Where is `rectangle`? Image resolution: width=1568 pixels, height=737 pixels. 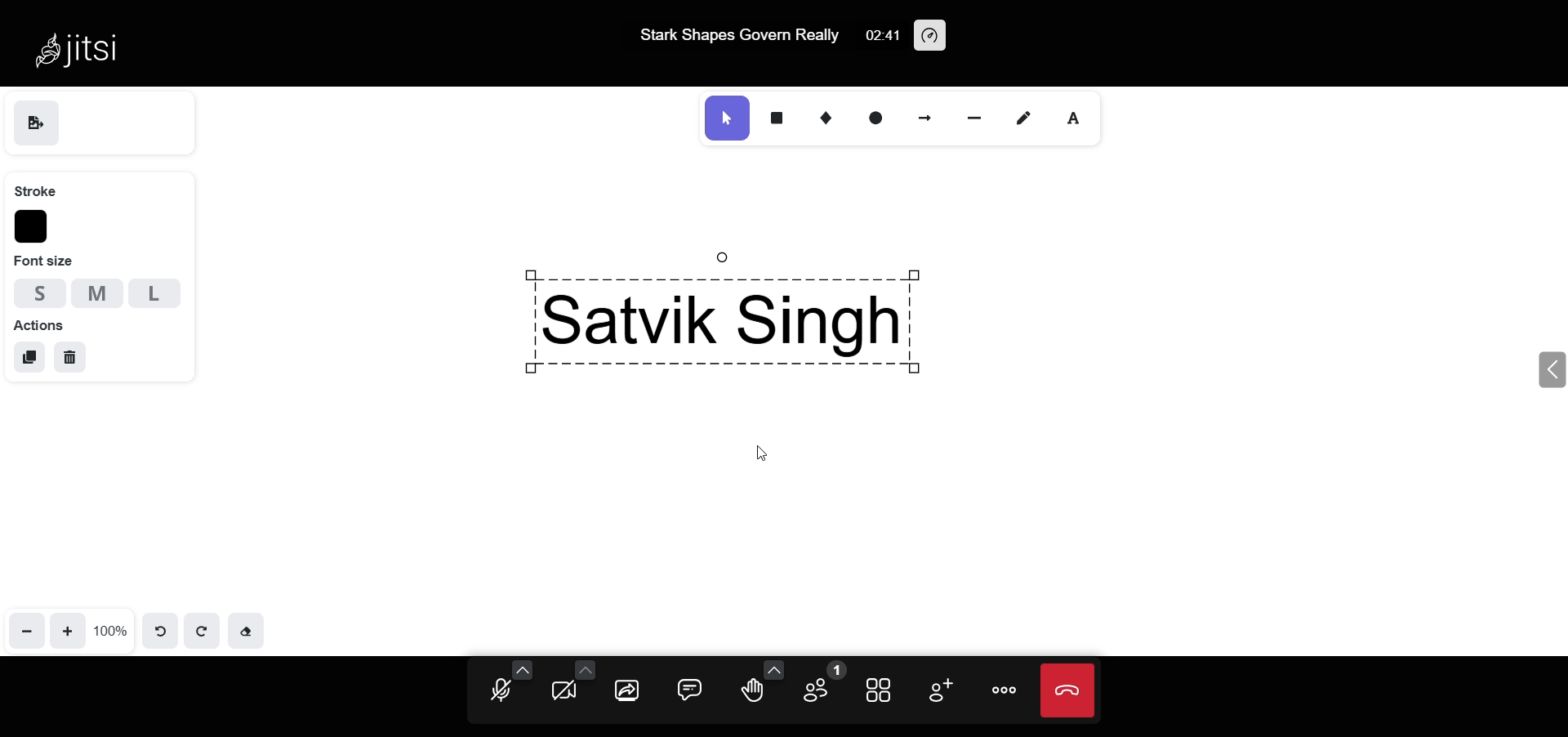
rectangle is located at coordinates (778, 114).